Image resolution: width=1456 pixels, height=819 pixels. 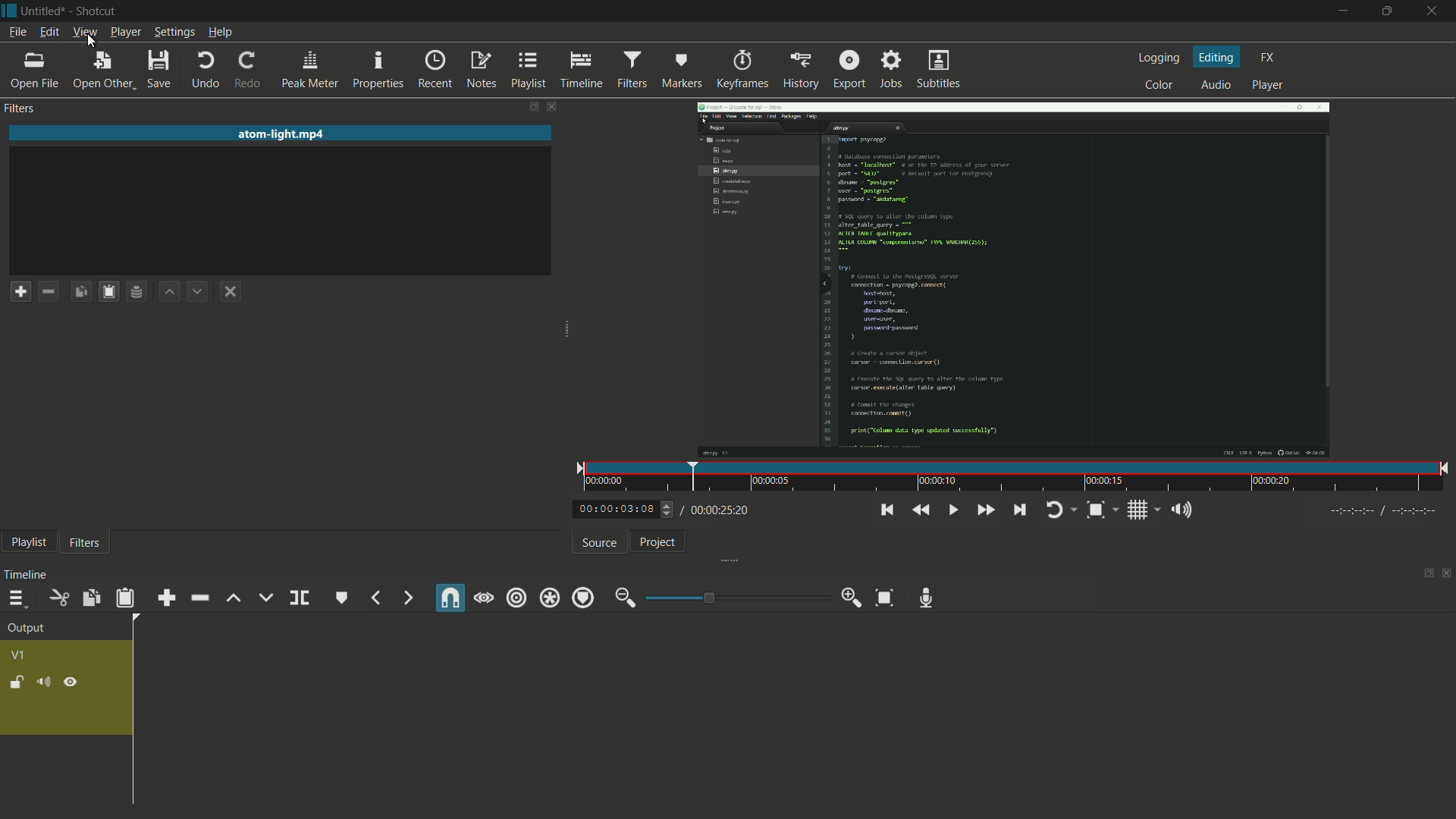 I want to click on app name, so click(x=98, y=12).